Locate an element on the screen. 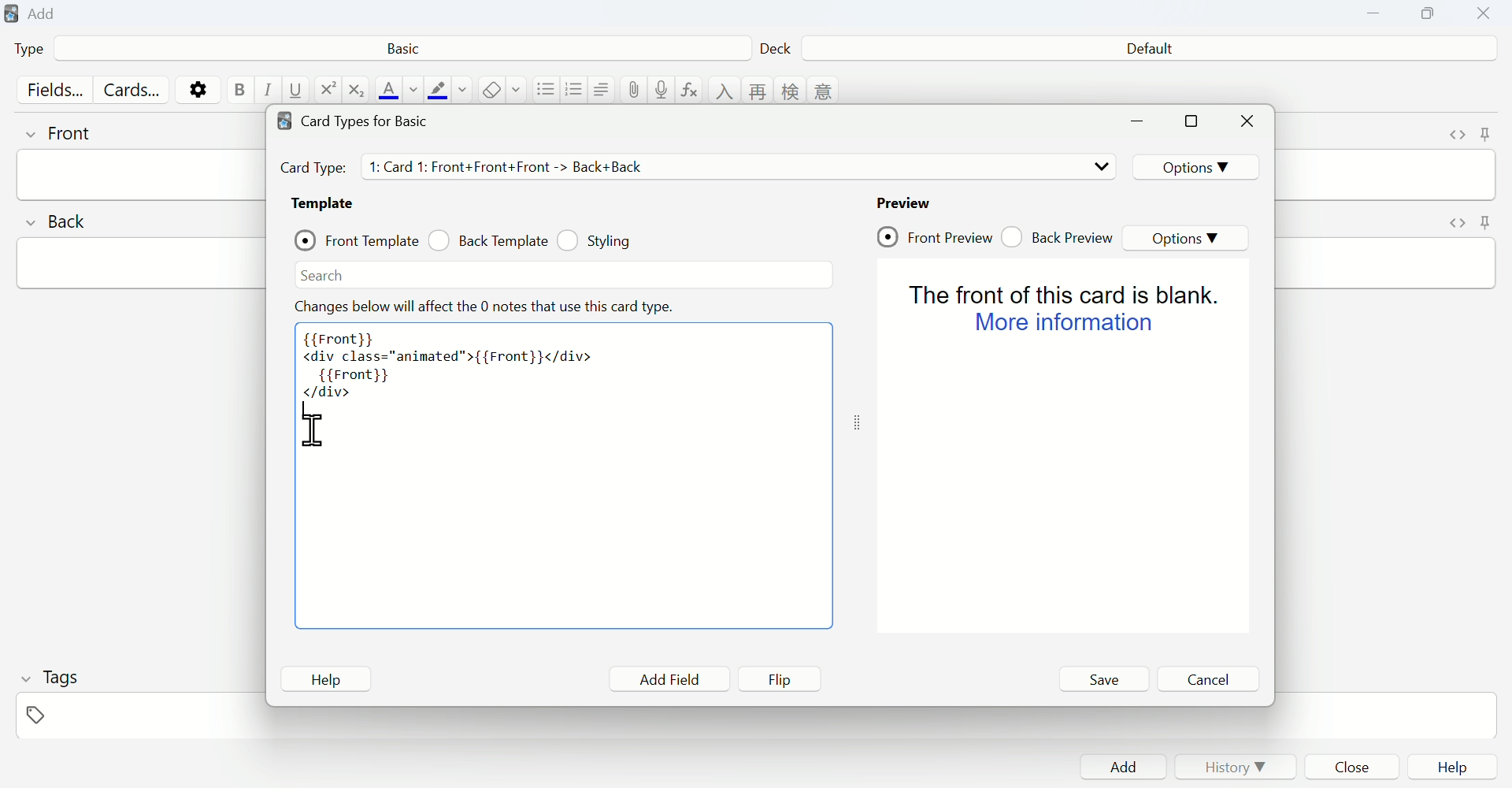 Image resolution: width=1512 pixels, height=788 pixels. tags is located at coordinates (137, 716).